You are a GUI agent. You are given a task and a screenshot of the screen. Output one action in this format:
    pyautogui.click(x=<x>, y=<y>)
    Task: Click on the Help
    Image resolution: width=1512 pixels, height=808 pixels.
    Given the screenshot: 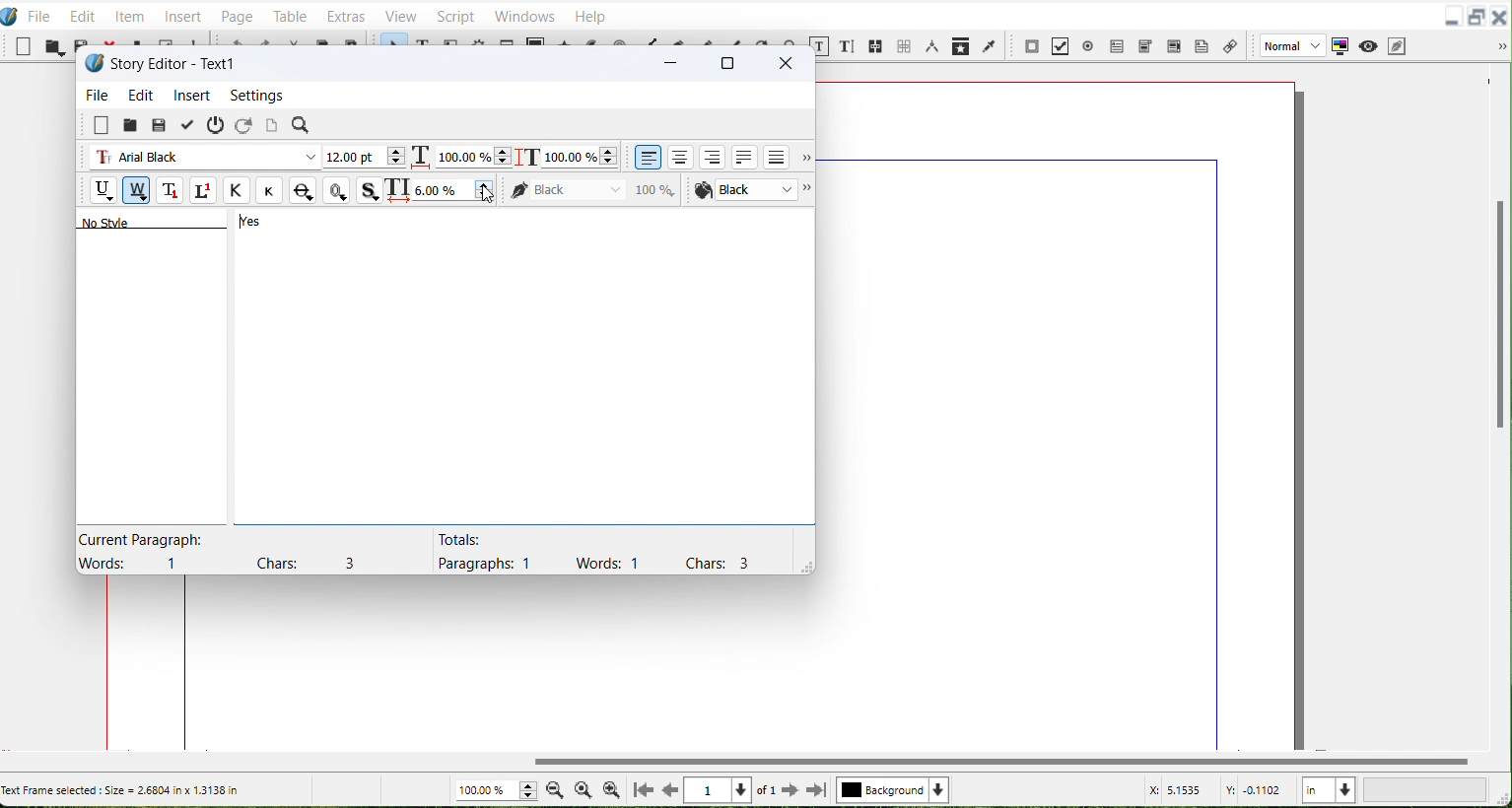 What is the action you would take?
    pyautogui.click(x=590, y=15)
    